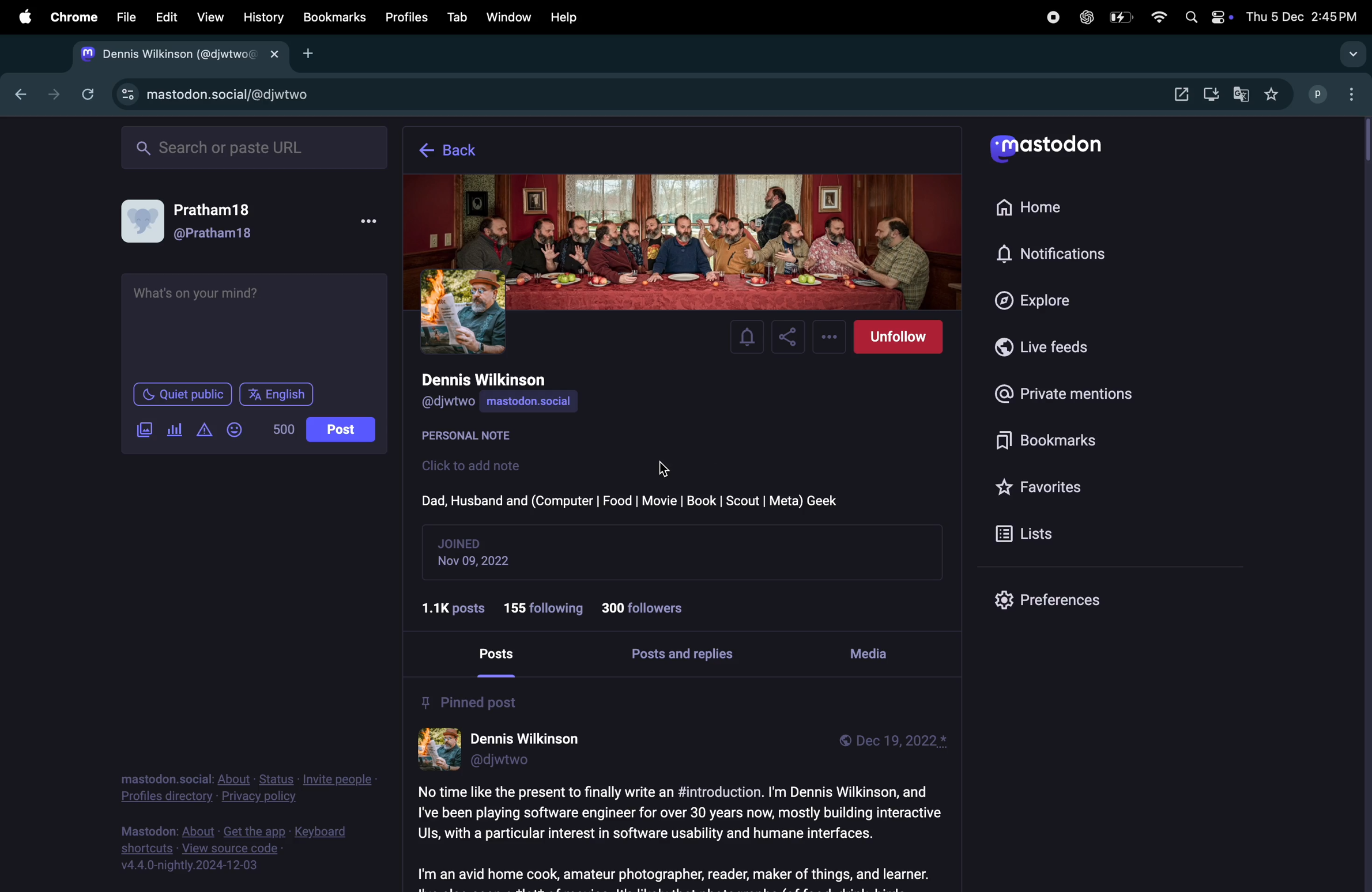 The width and height of the screenshot is (1372, 892). Describe the element at coordinates (1049, 347) in the screenshot. I see `live feeds` at that location.